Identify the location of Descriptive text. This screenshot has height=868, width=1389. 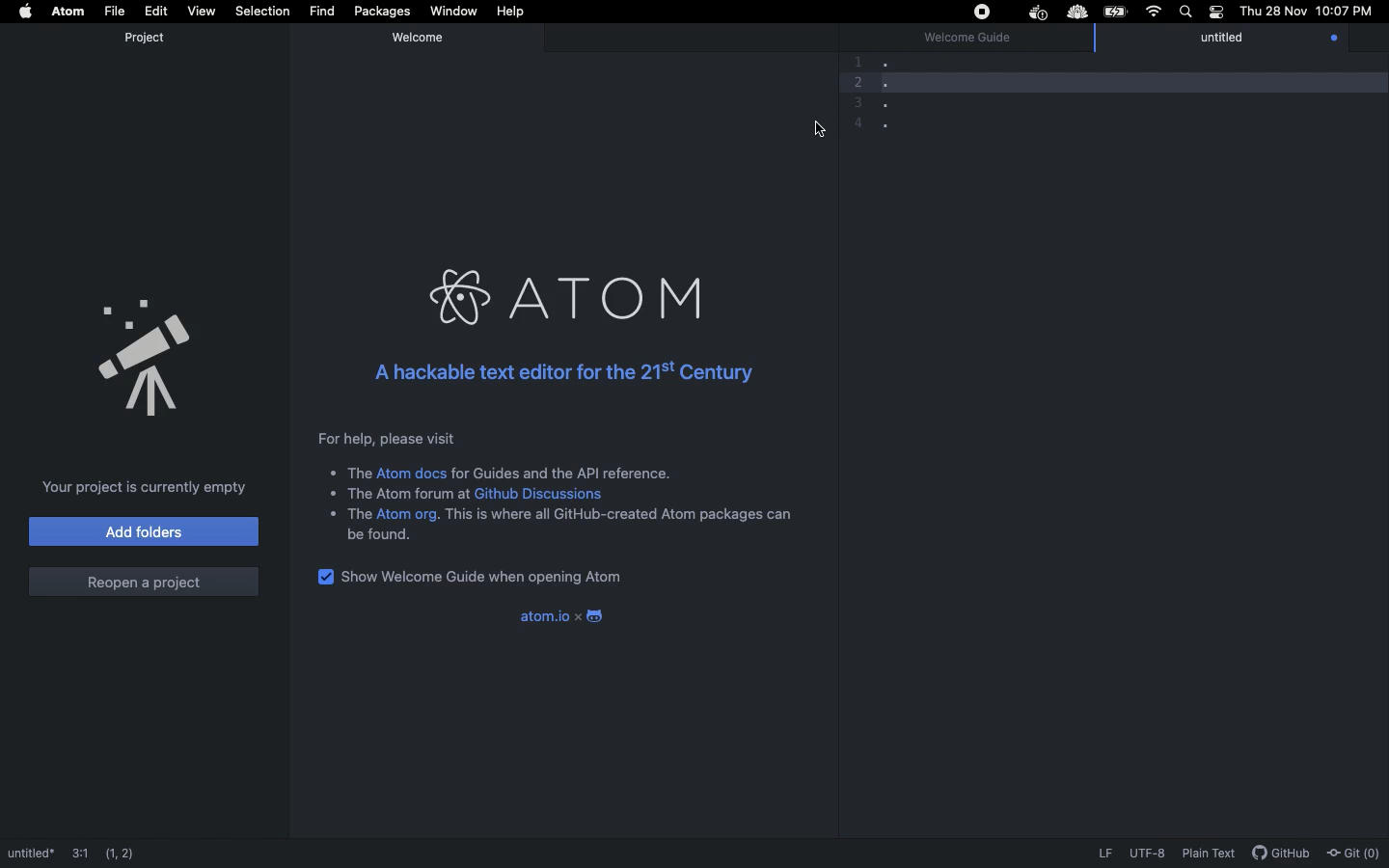
(382, 439).